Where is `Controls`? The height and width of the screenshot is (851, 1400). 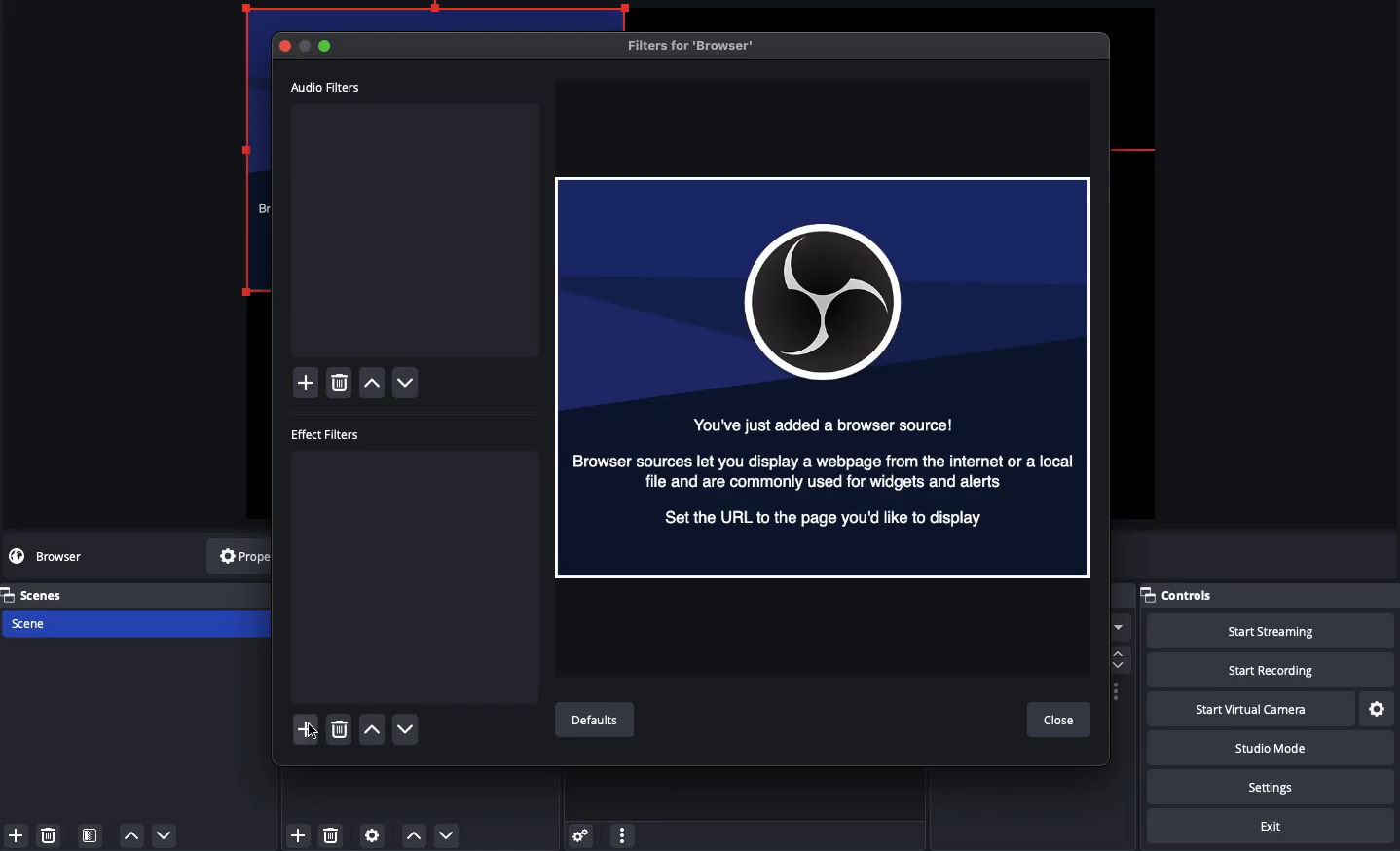
Controls is located at coordinates (1268, 595).